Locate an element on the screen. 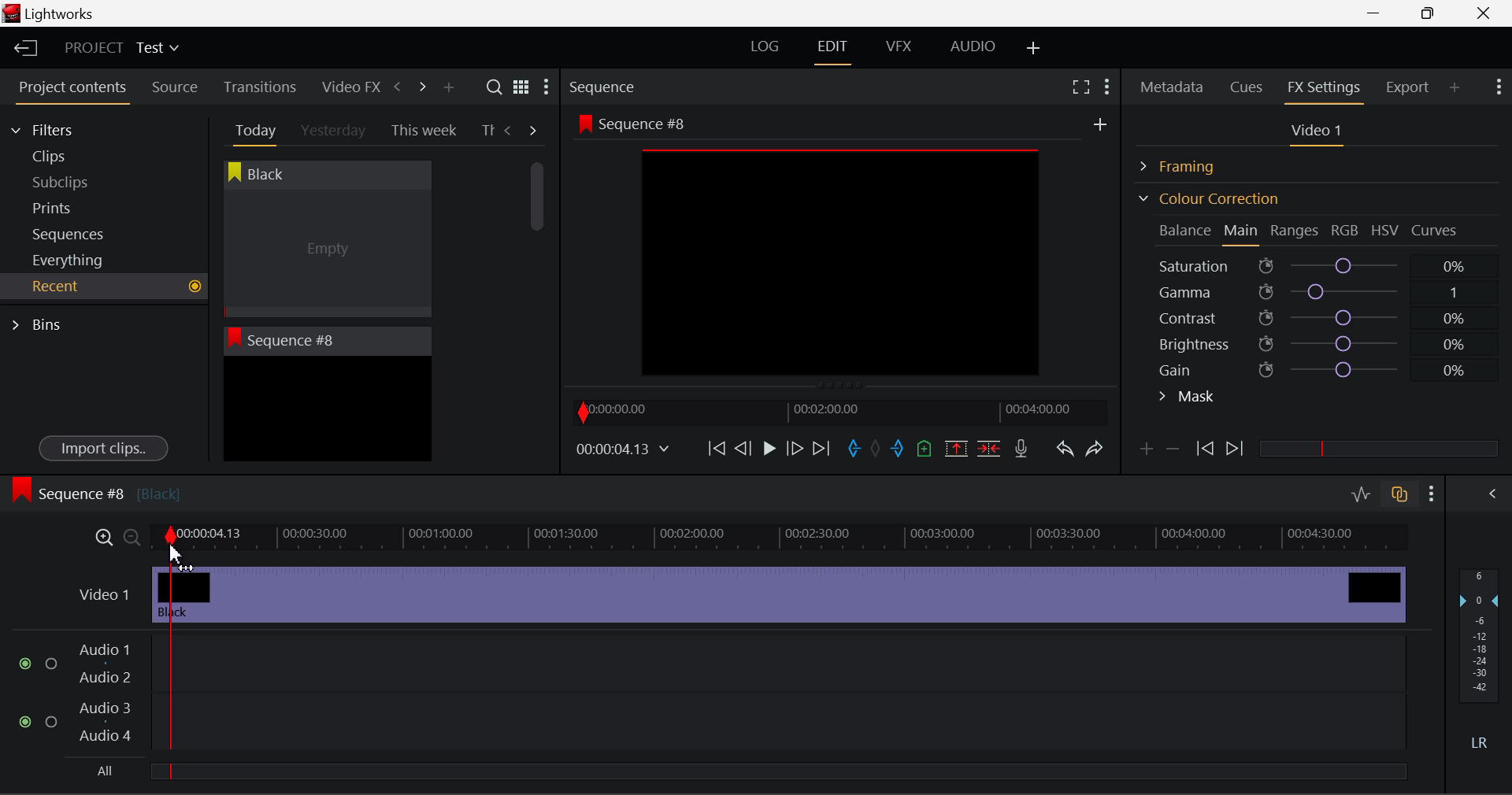 This screenshot has width=1512, height=795. Play is located at coordinates (767, 449).